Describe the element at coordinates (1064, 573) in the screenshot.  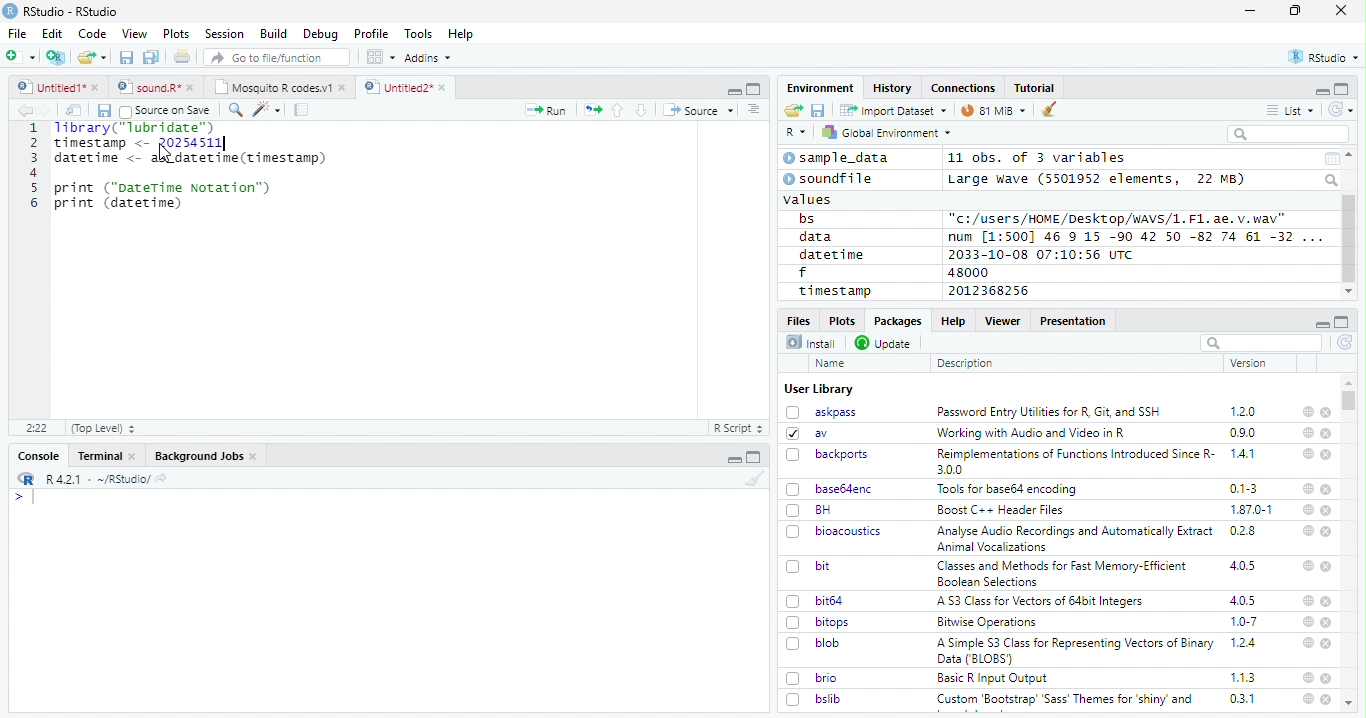
I see `(Classes and Methods for Fast Memory-Efficient
Boolean Selections` at that location.